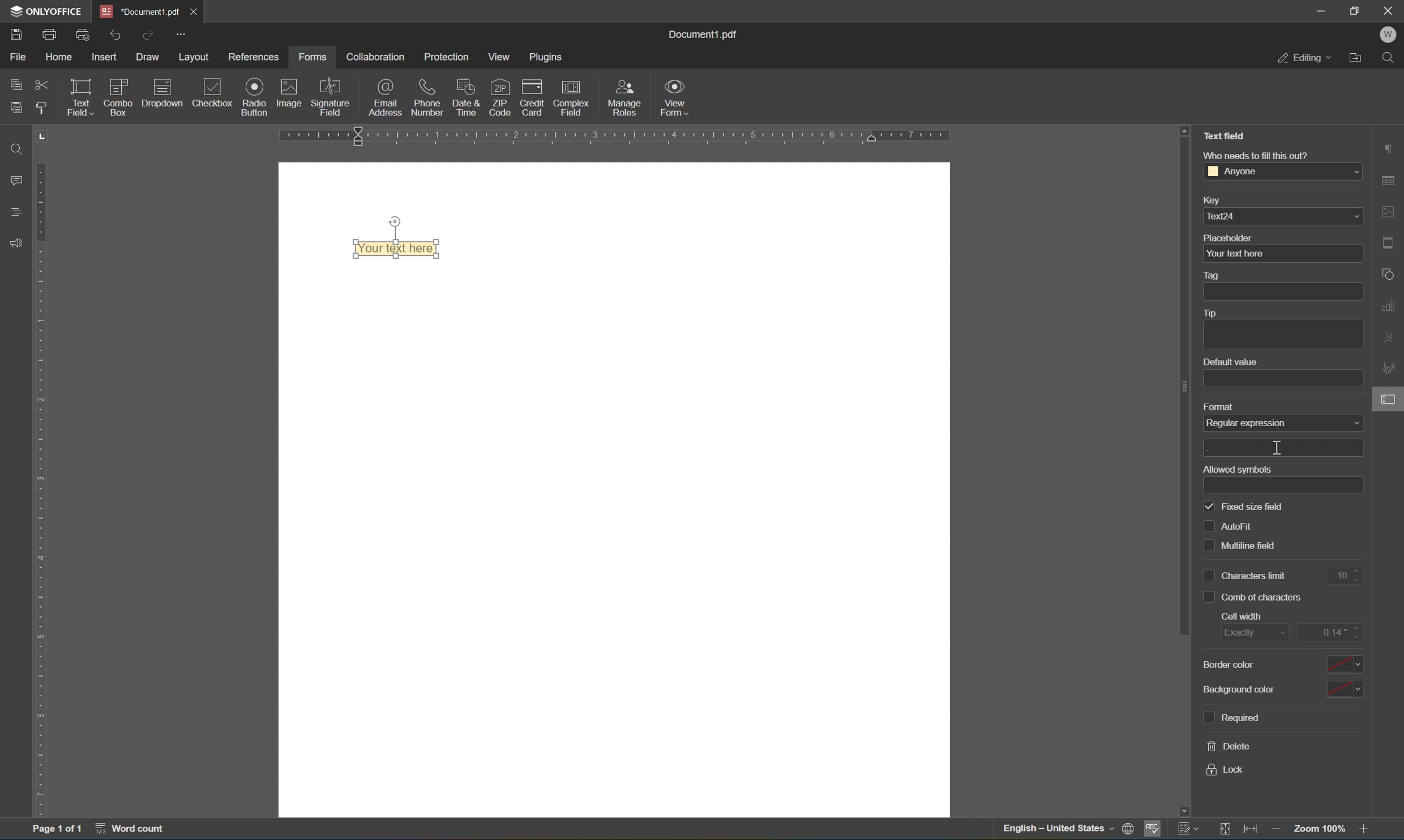 This screenshot has height=840, width=1404. I want to click on type your text here, so click(396, 248).